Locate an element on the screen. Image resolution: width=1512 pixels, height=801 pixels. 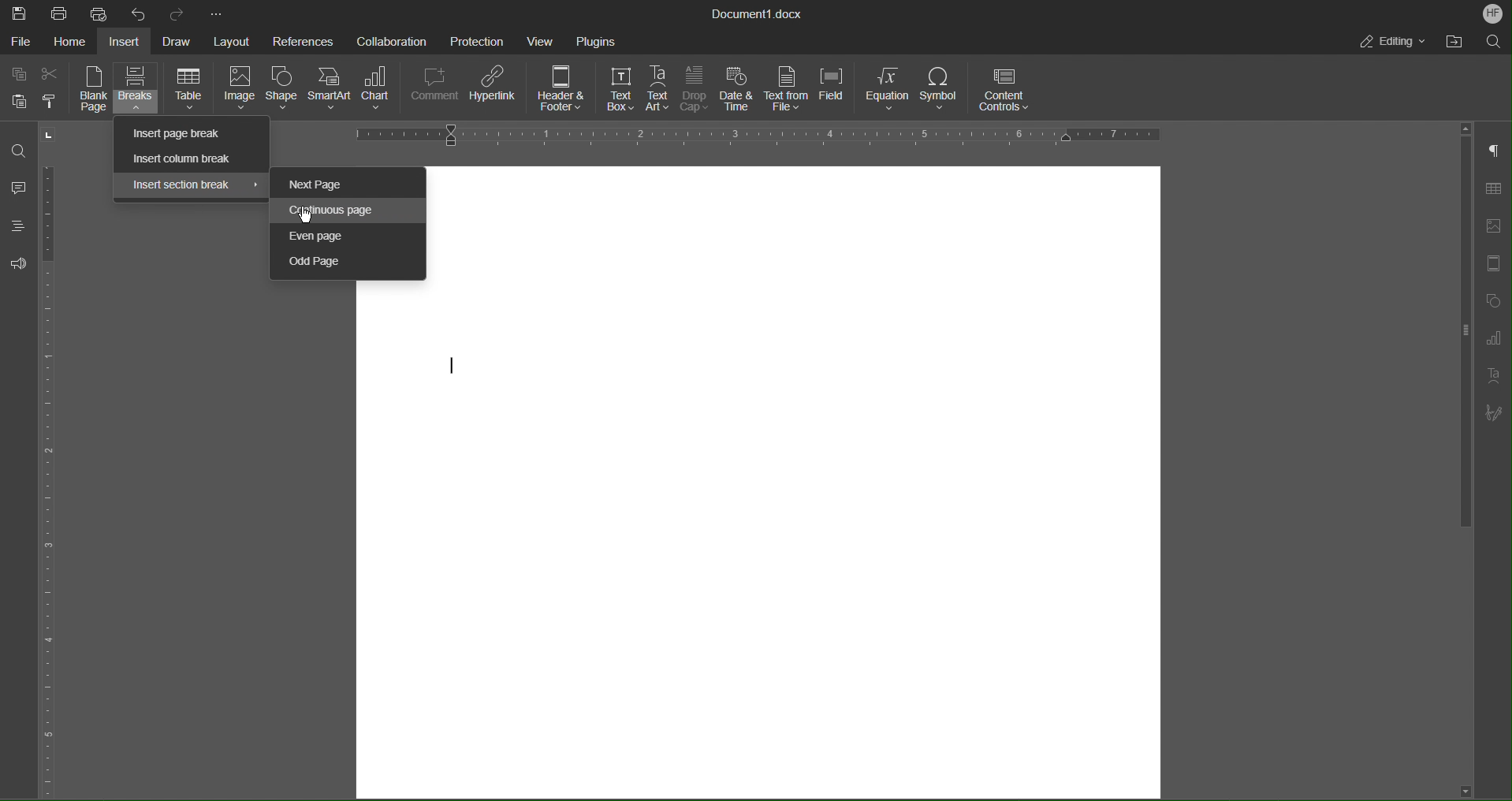
Symbol is located at coordinates (940, 90).